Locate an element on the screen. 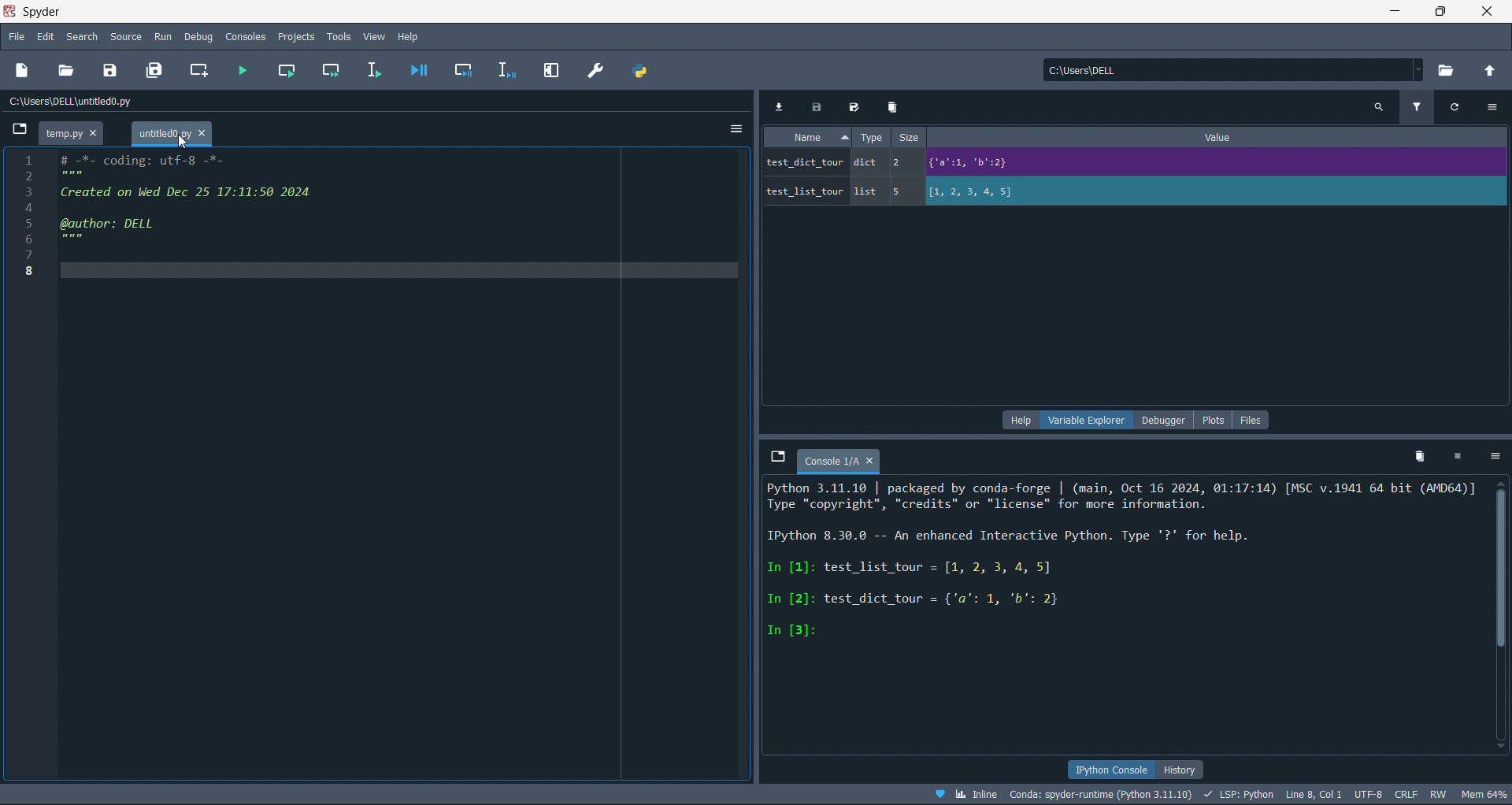  run cell is located at coordinates (286, 69).